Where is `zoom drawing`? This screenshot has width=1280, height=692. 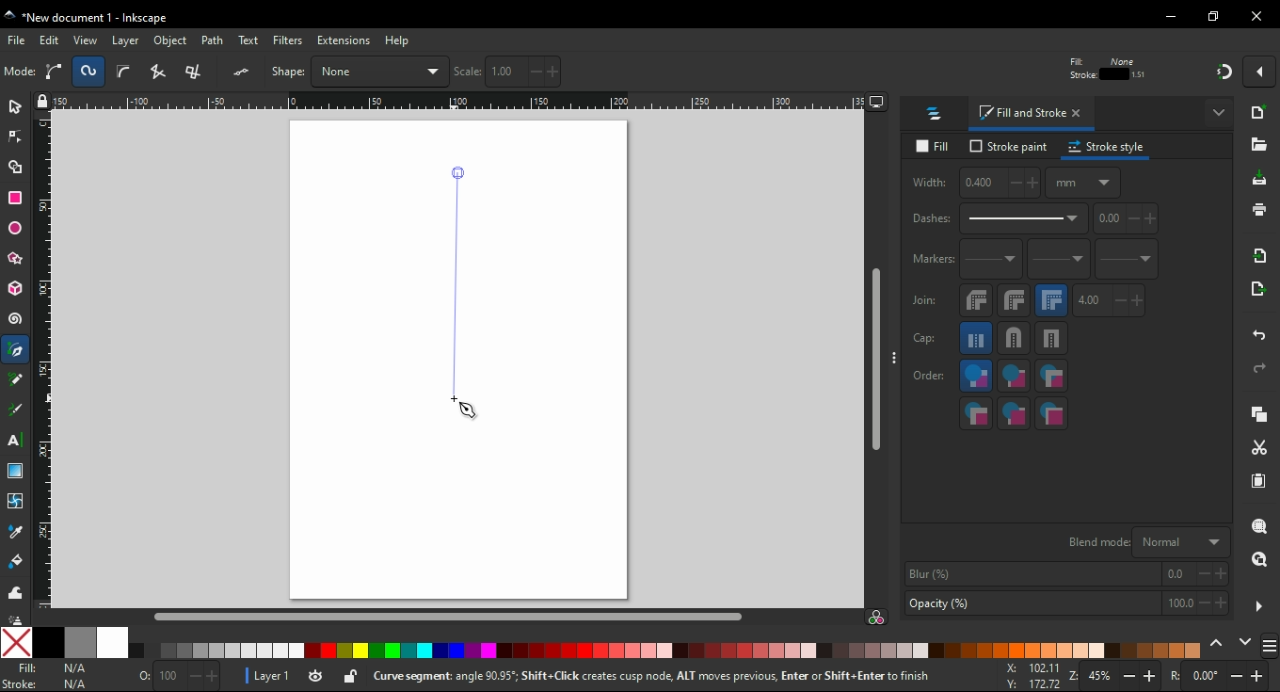 zoom drawing is located at coordinates (1259, 565).